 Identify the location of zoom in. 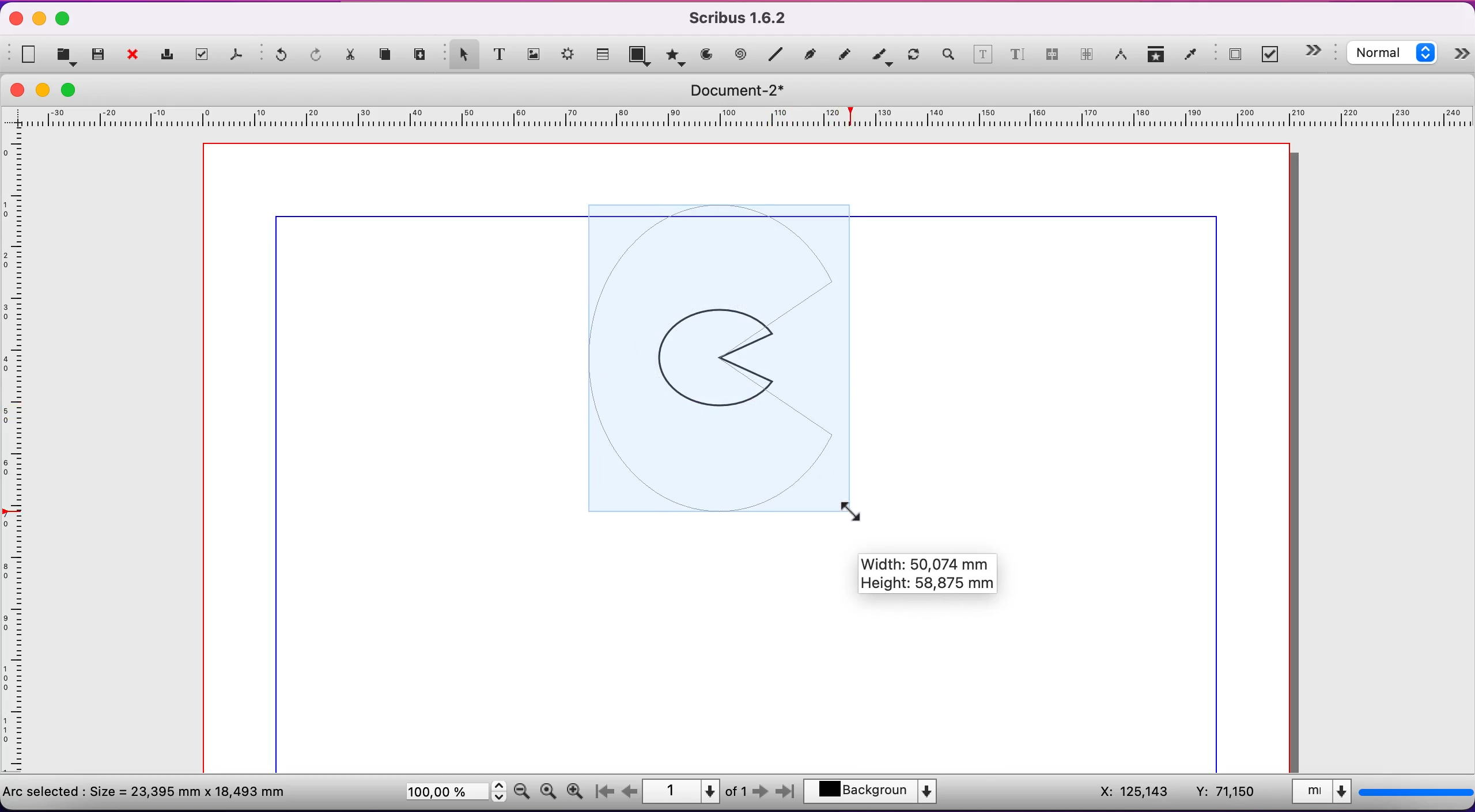
(578, 788).